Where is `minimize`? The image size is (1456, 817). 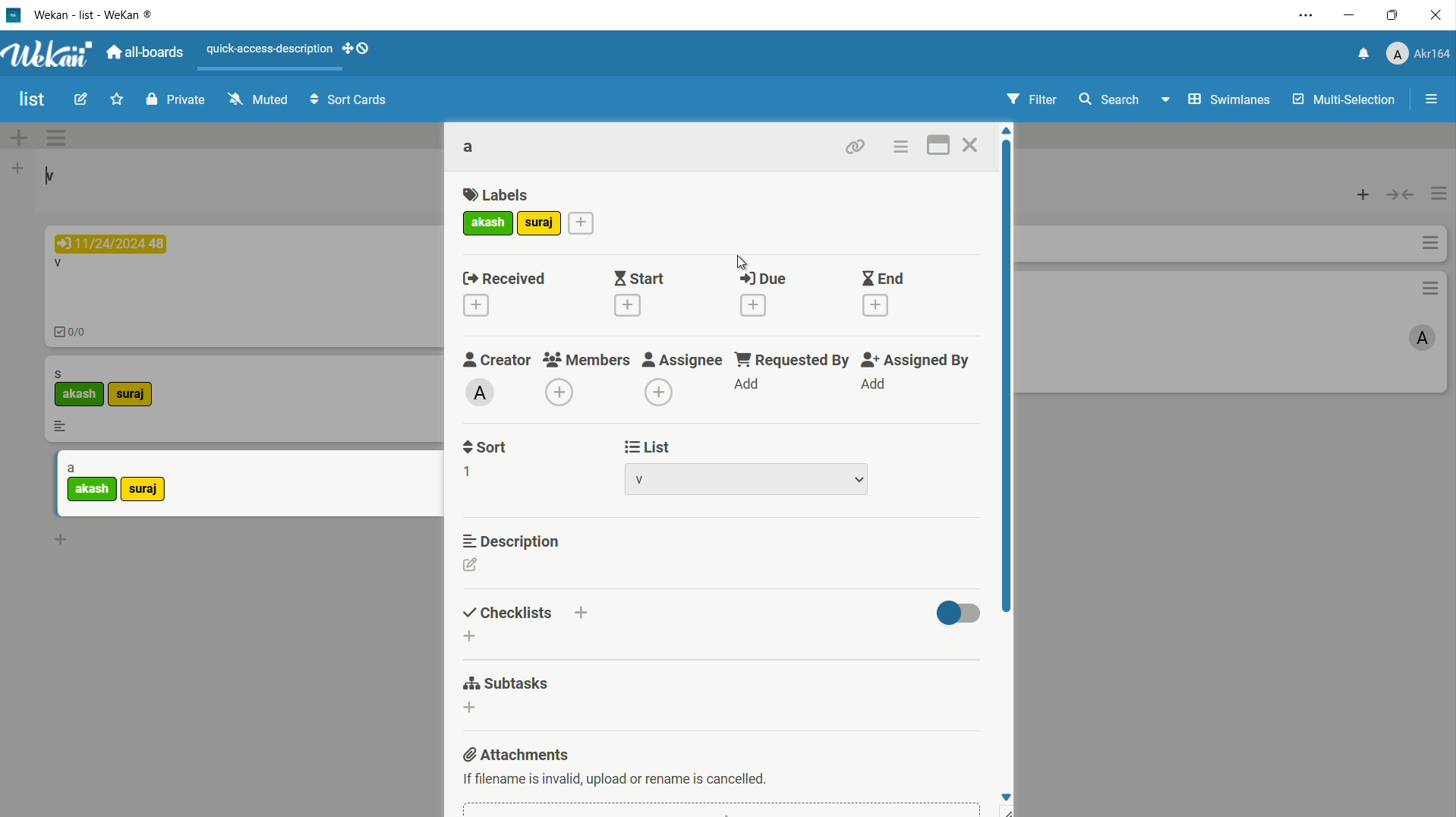
minimize is located at coordinates (1351, 17).